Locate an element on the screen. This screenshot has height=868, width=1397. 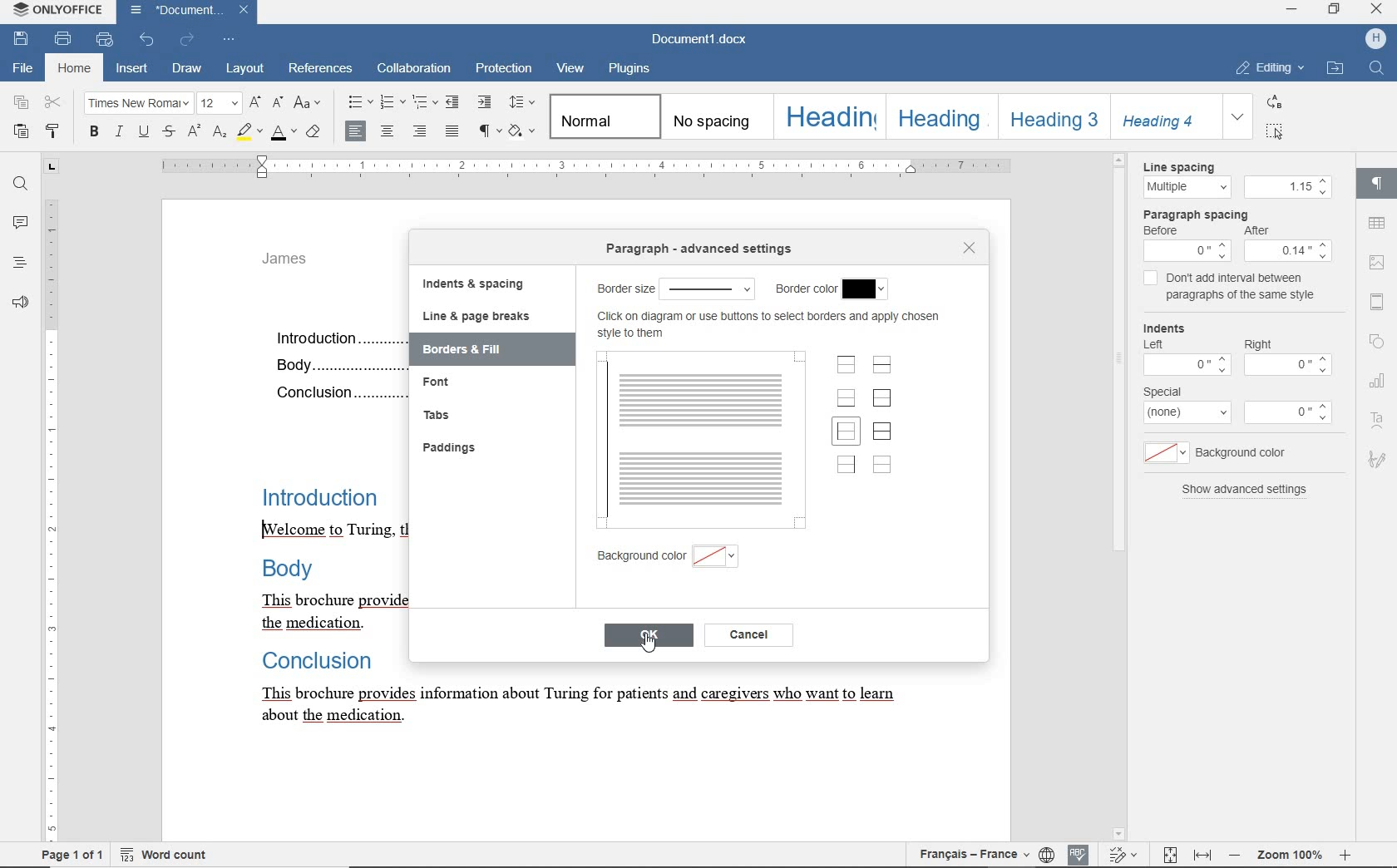
more options is located at coordinates (1189, 413).